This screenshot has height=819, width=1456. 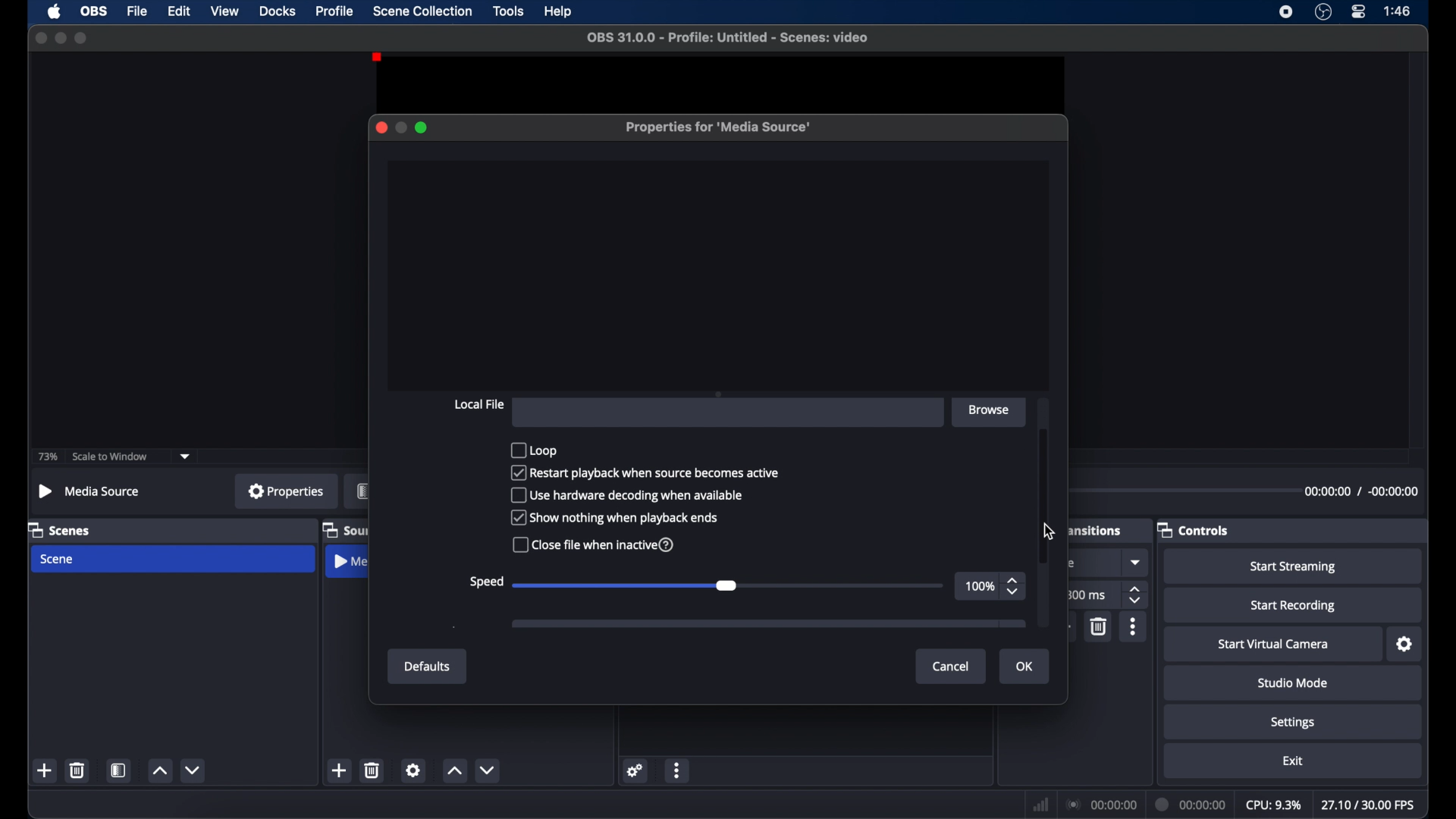 I want to click on network, so click(x=1041, y=806).